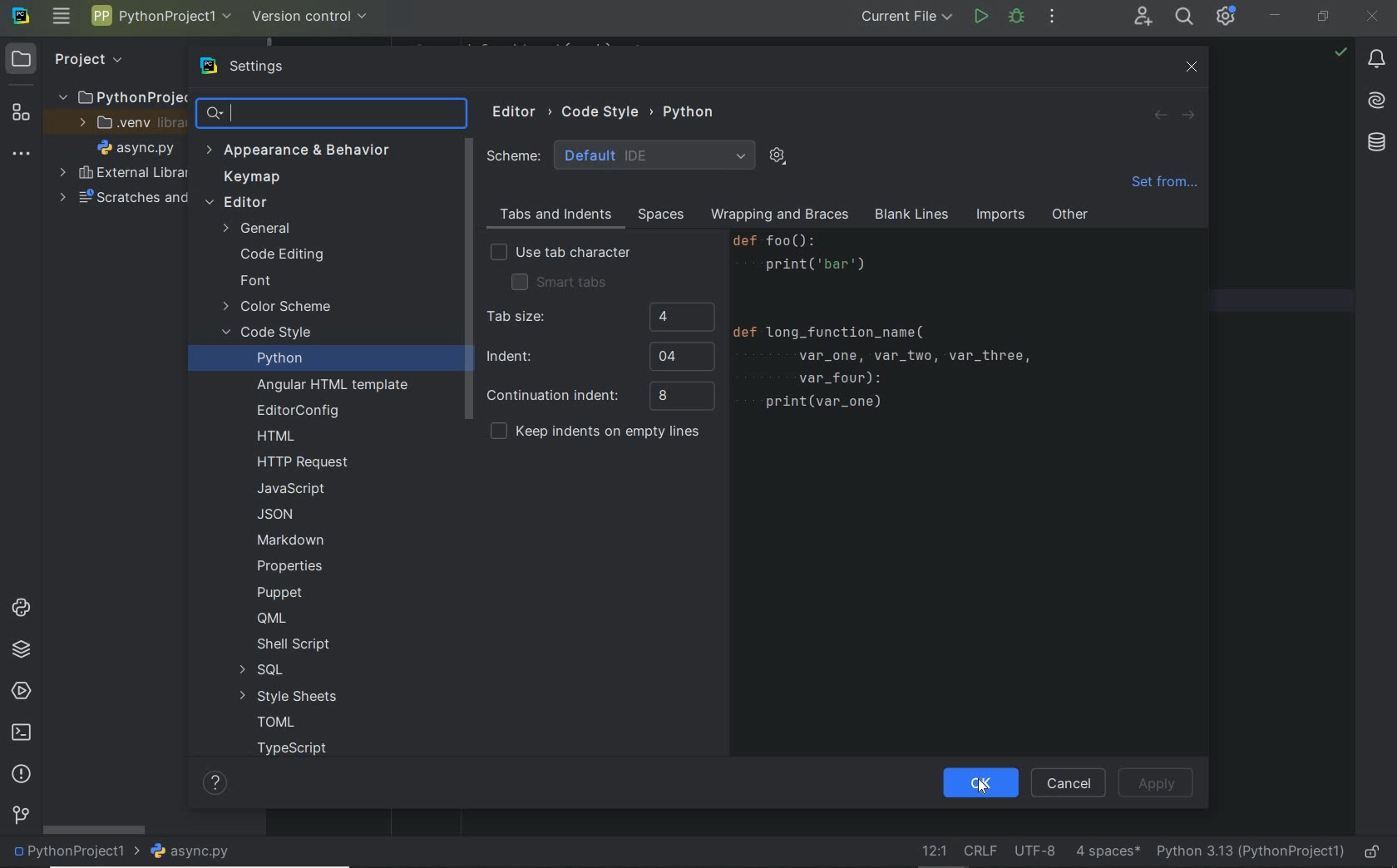  Describe the element at coordinates (270, 618) in the screenshot. I see `QML` at that location.